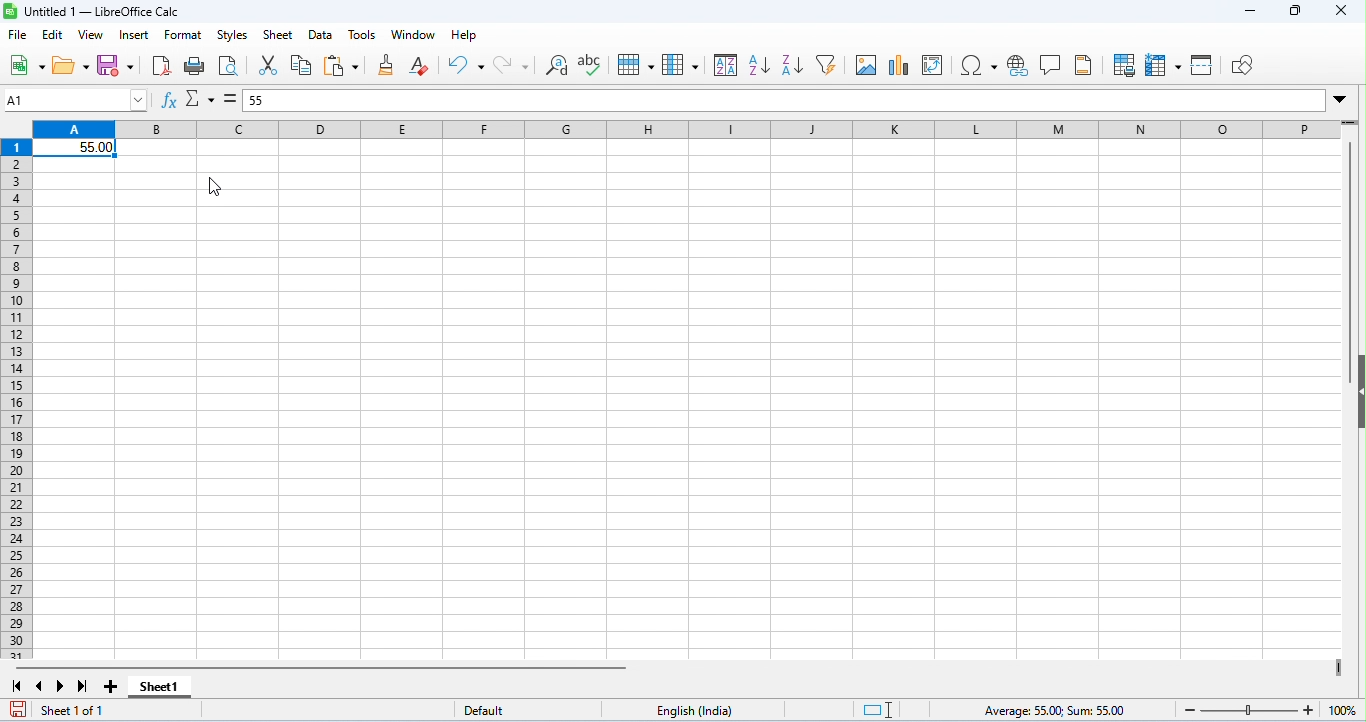  Describe the element at coordinates (726, 66) in the screenshot. I see `sort` at that location.